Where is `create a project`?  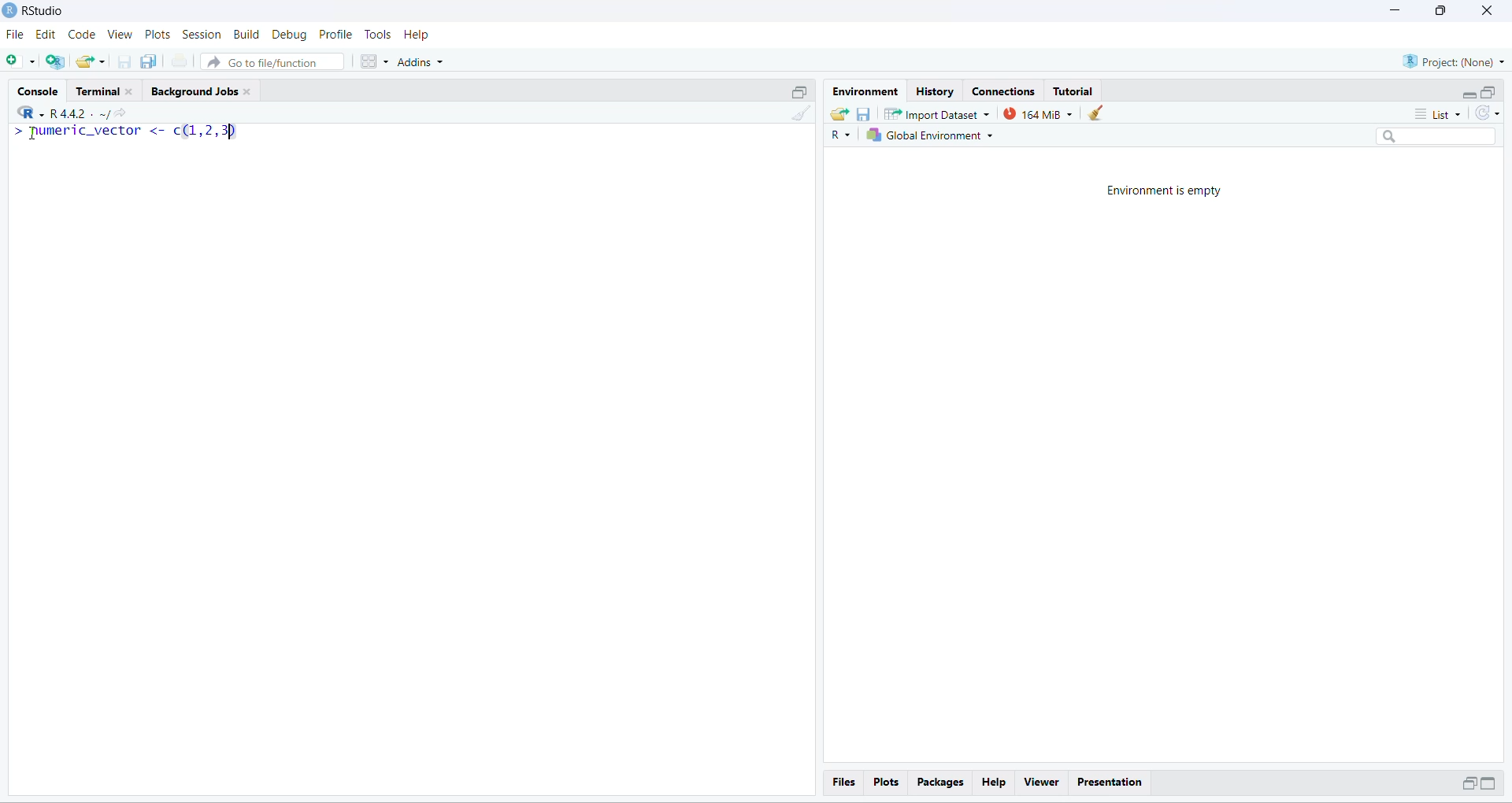 create a project is located at coordinates (54, 61).